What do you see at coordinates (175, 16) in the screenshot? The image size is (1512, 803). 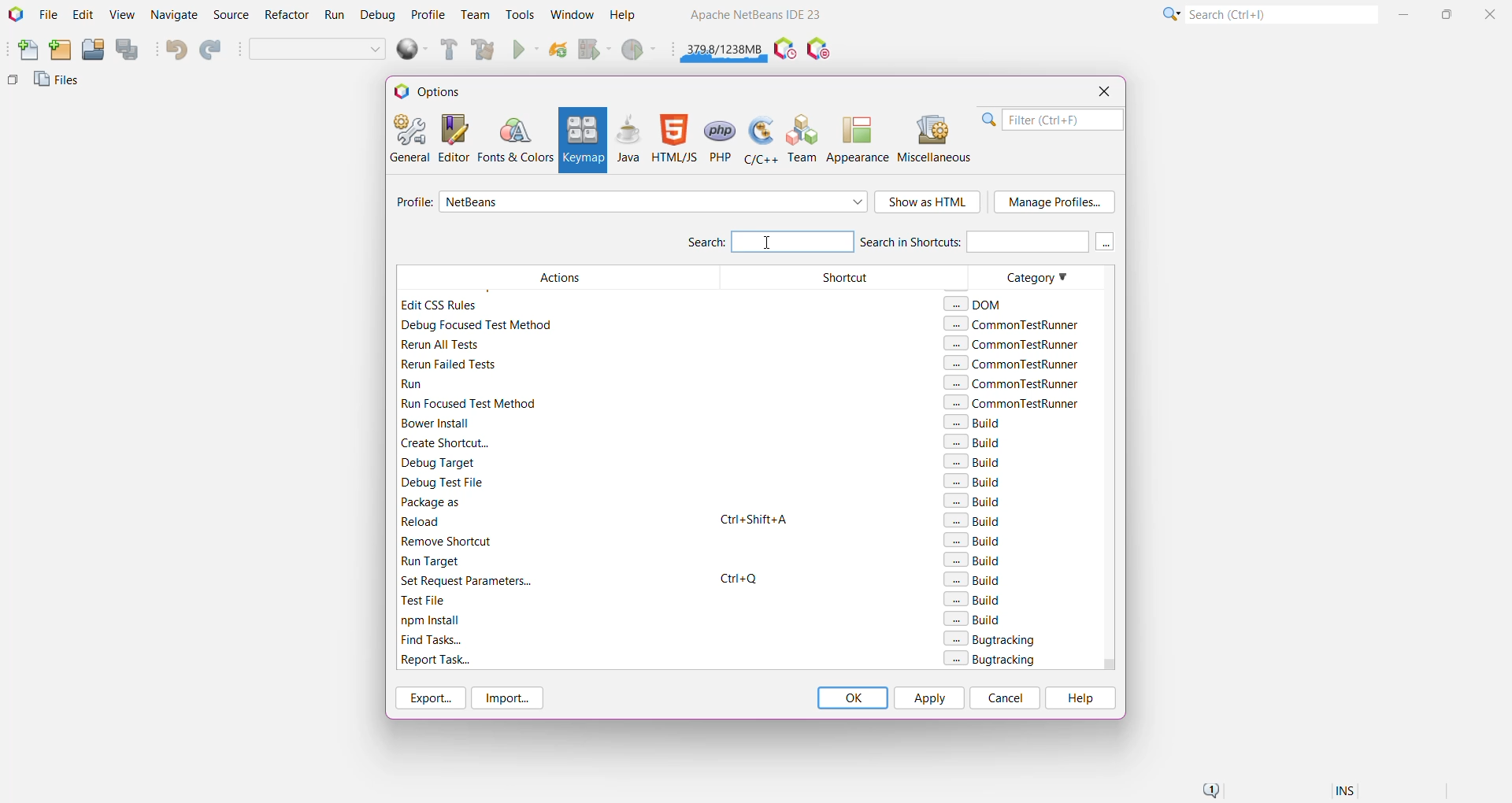 I see `Navigate` at bounding box center [175, 16].